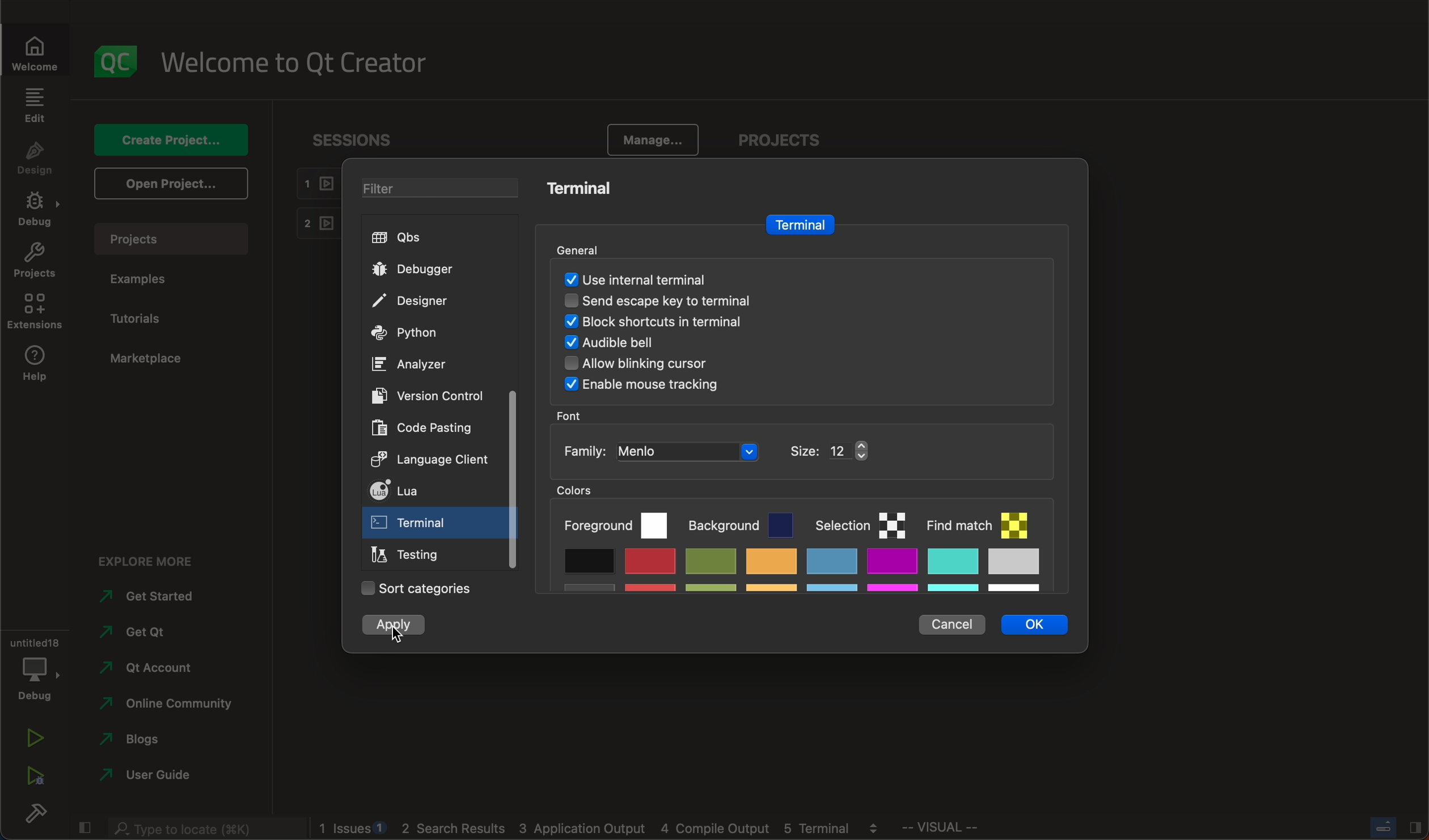 This screenshot has height=840, width=1429. I want to click on terminal, so click(799, 223).